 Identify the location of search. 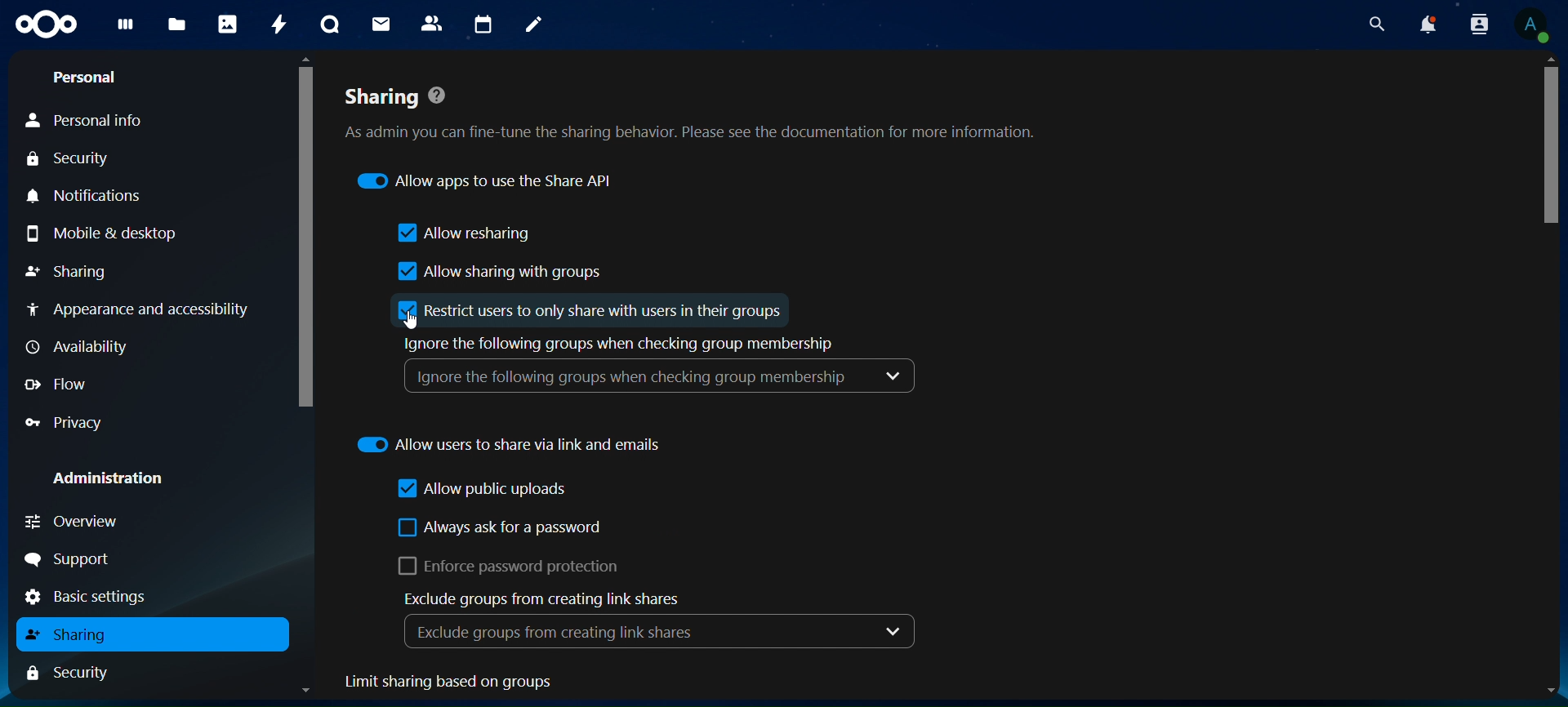
(1377, 23).